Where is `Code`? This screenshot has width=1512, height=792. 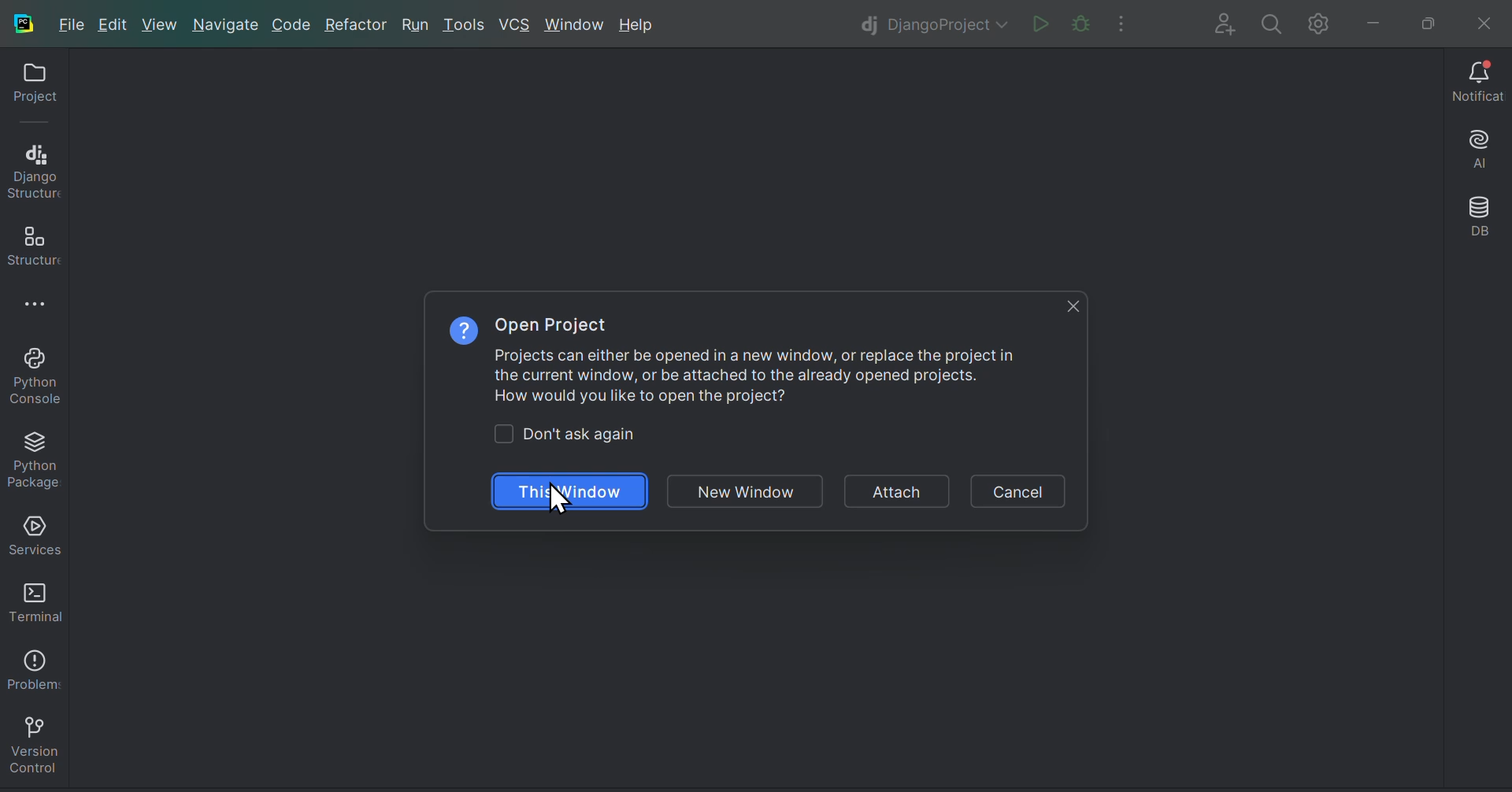 Code is located at coordinates (292, 25).